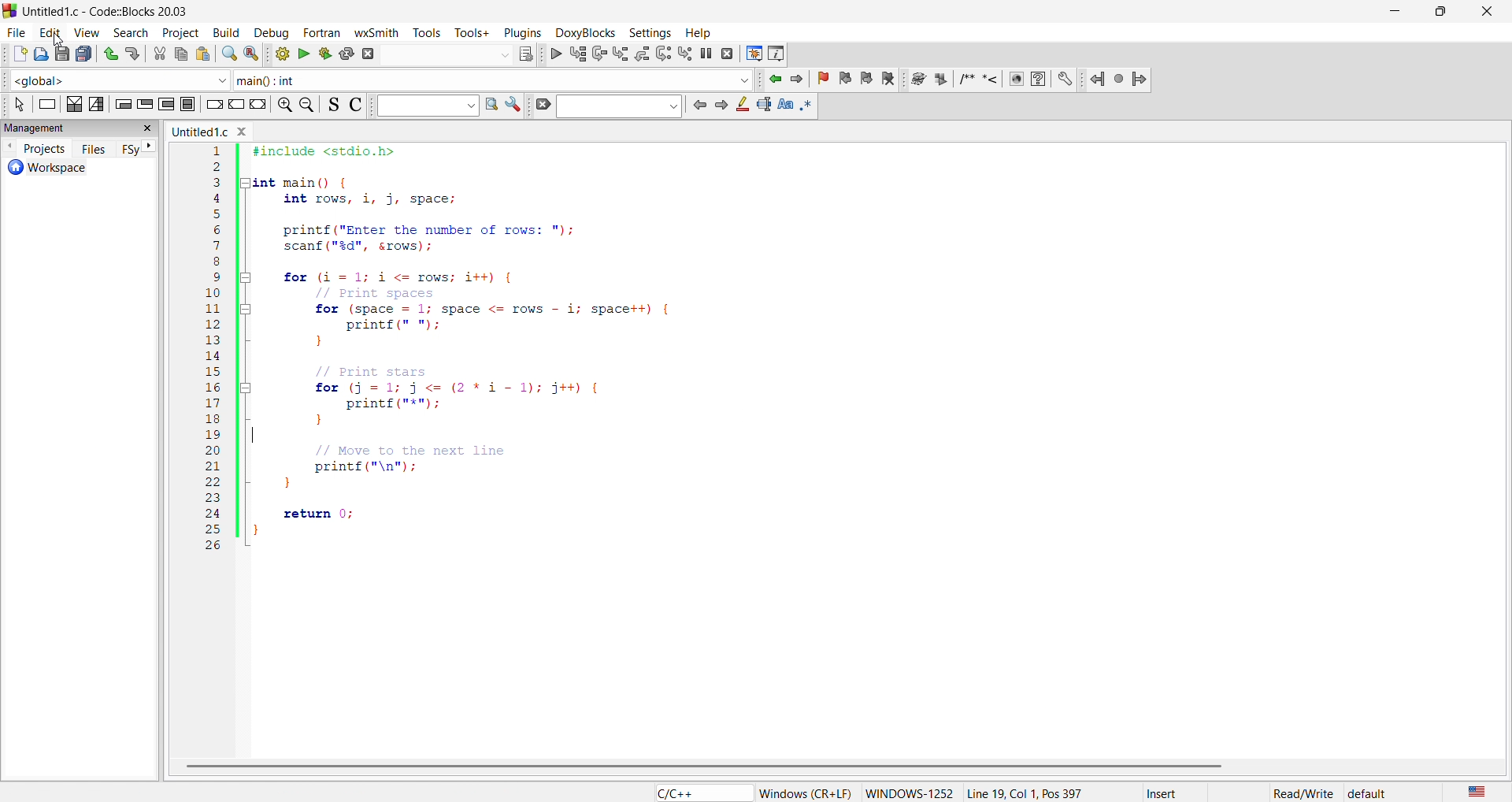 This screenshot has height=802, width=1512. Describe the element at coordinates (787, 106) in the screenshot. I see `match text` at that location.